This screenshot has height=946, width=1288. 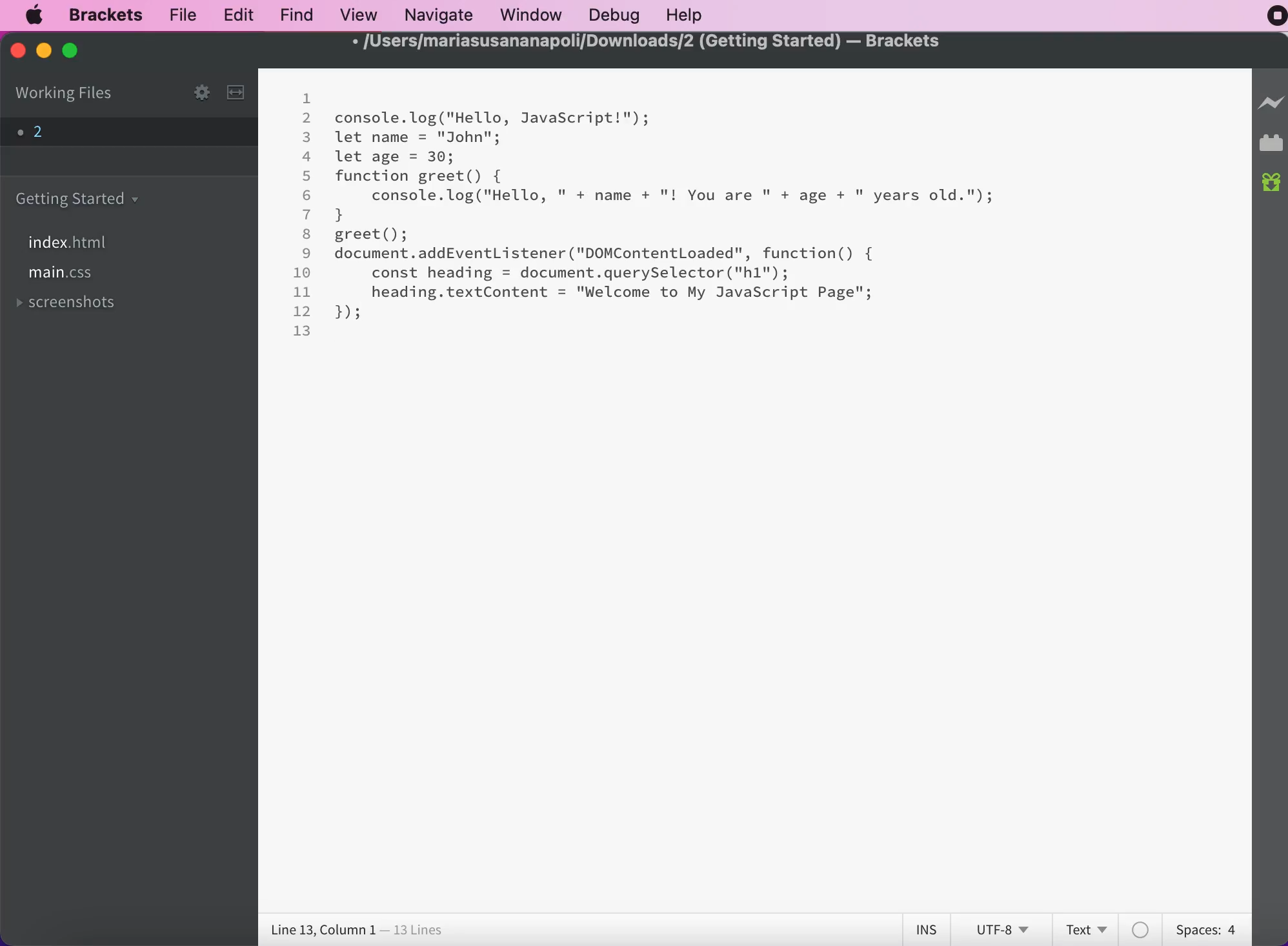 What do you see at coordinates (529, 16) in the screenshot?
I see `window` at bounding box center [529, 16].